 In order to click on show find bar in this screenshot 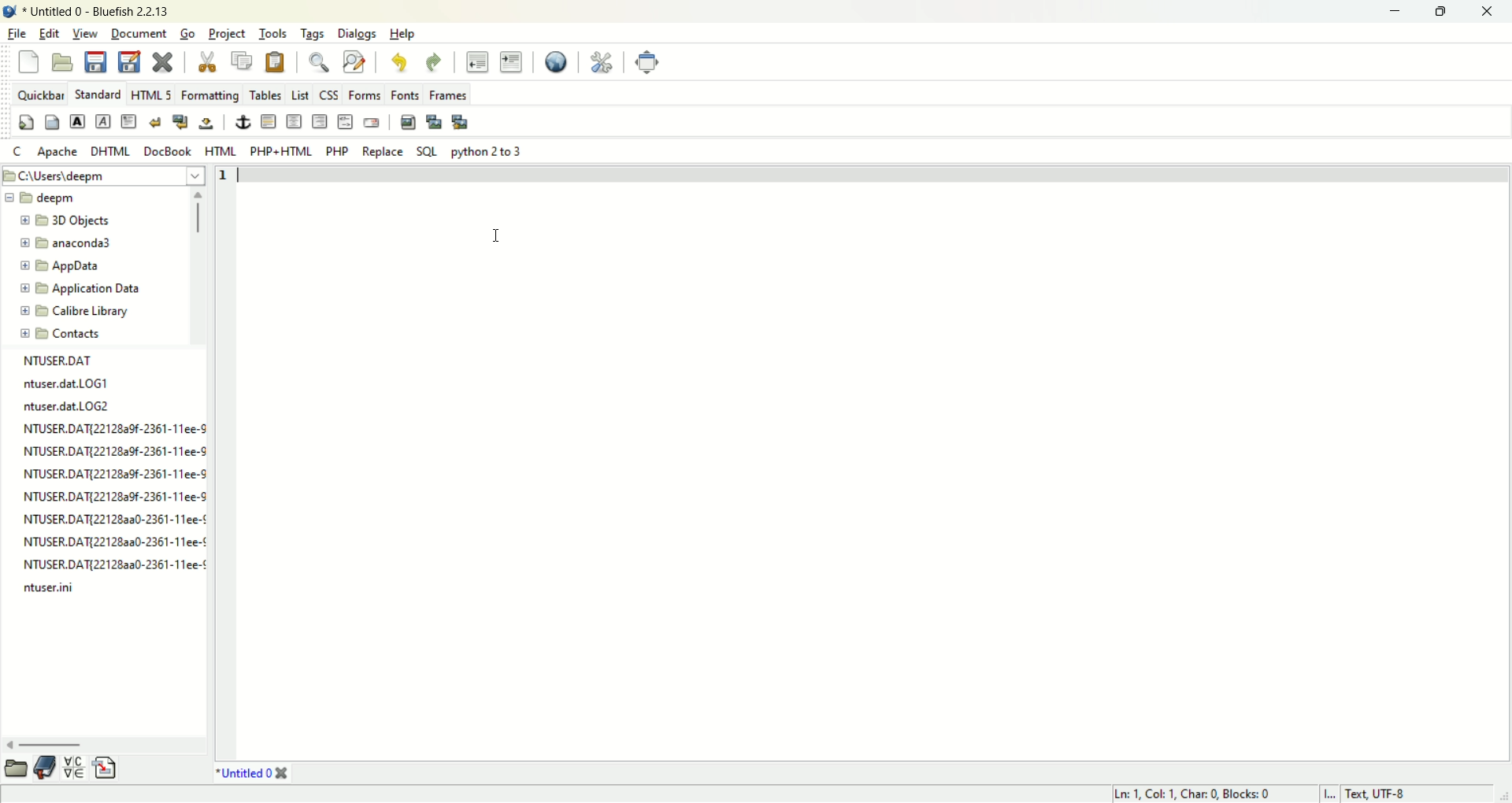, I will do `click(321, 62)`.